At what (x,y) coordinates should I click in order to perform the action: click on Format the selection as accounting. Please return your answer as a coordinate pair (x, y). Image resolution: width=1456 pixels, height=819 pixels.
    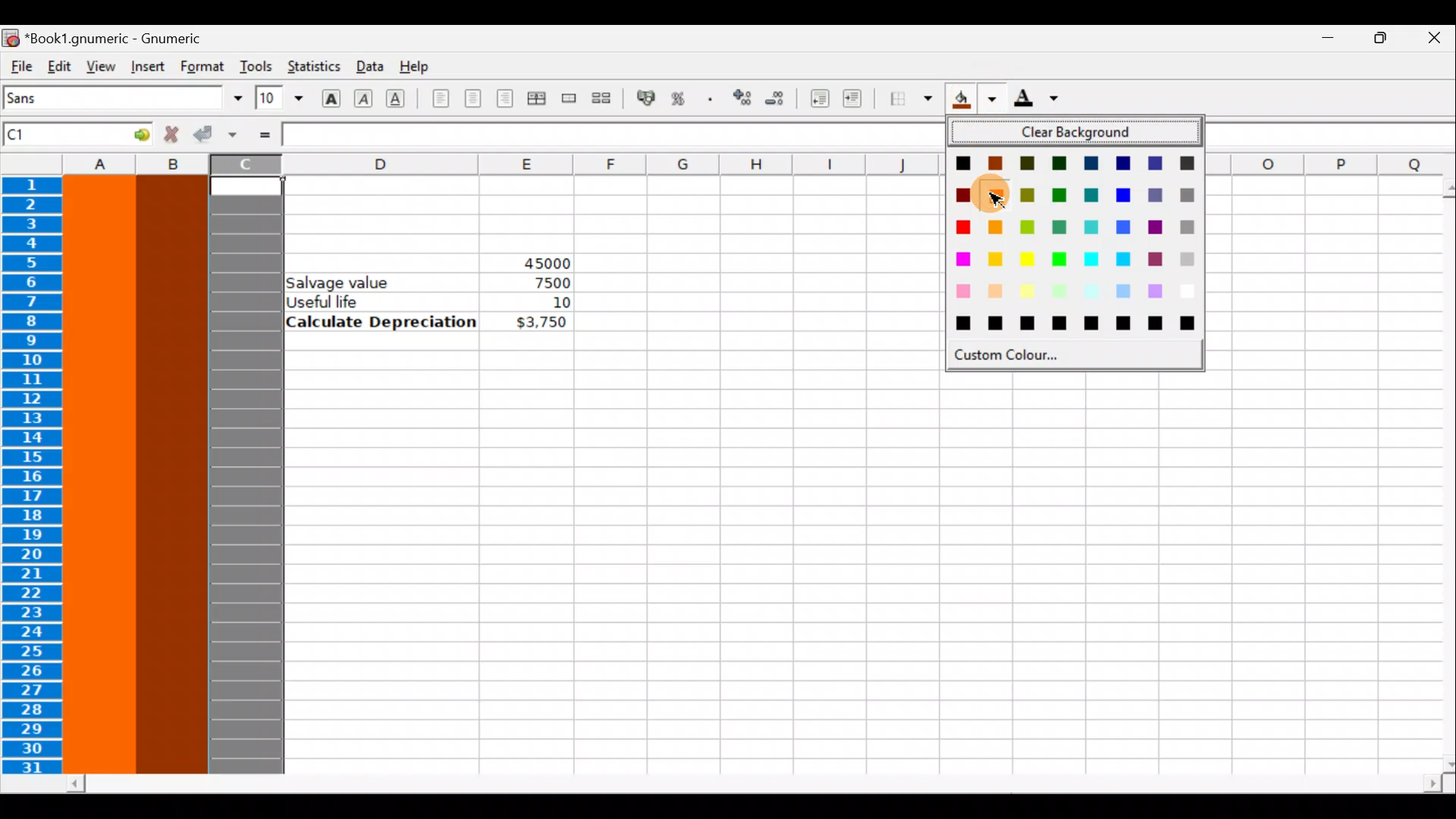
    Looking at the image, I should click on (647, 100).